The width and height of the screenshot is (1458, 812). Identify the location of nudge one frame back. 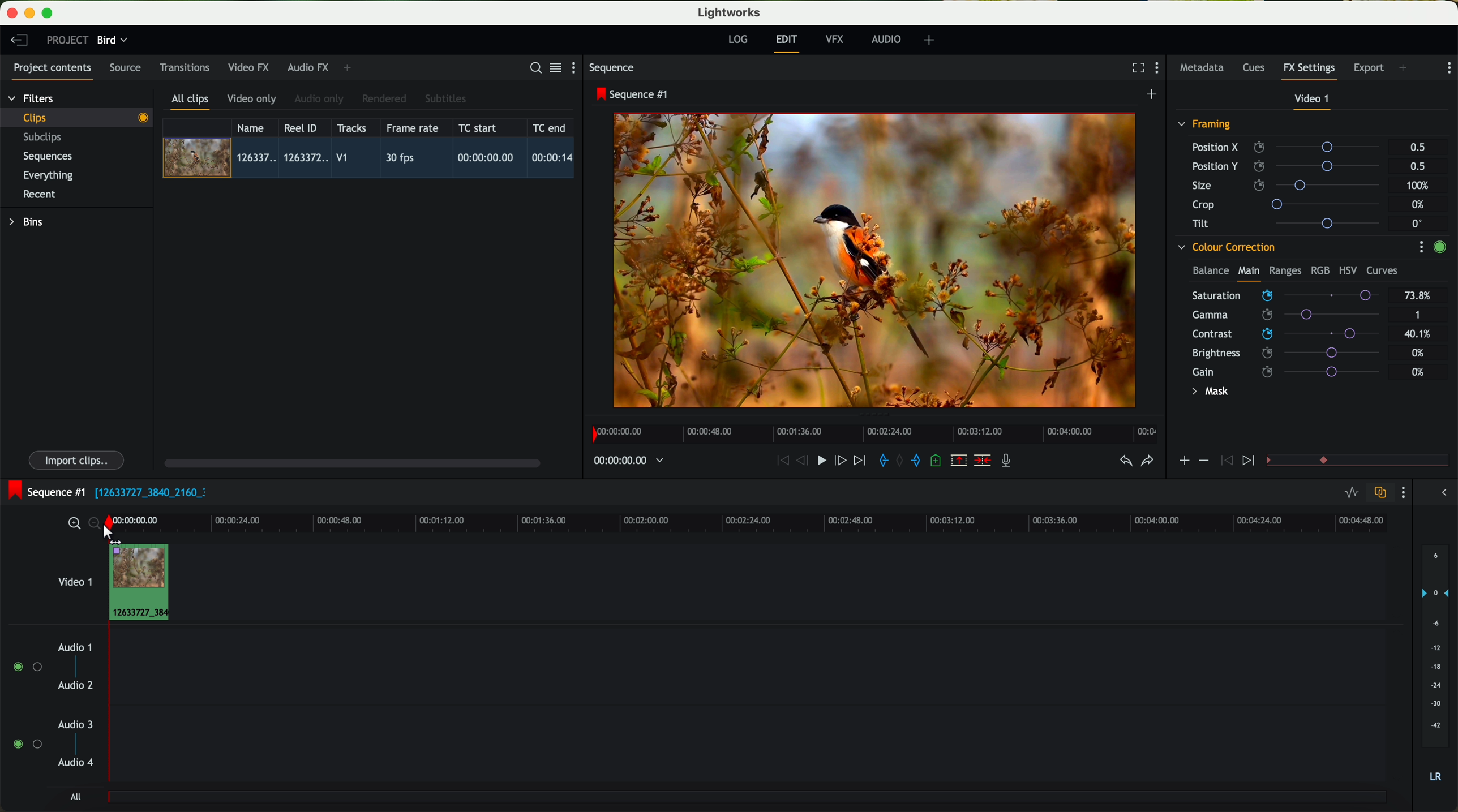
(804, 462).